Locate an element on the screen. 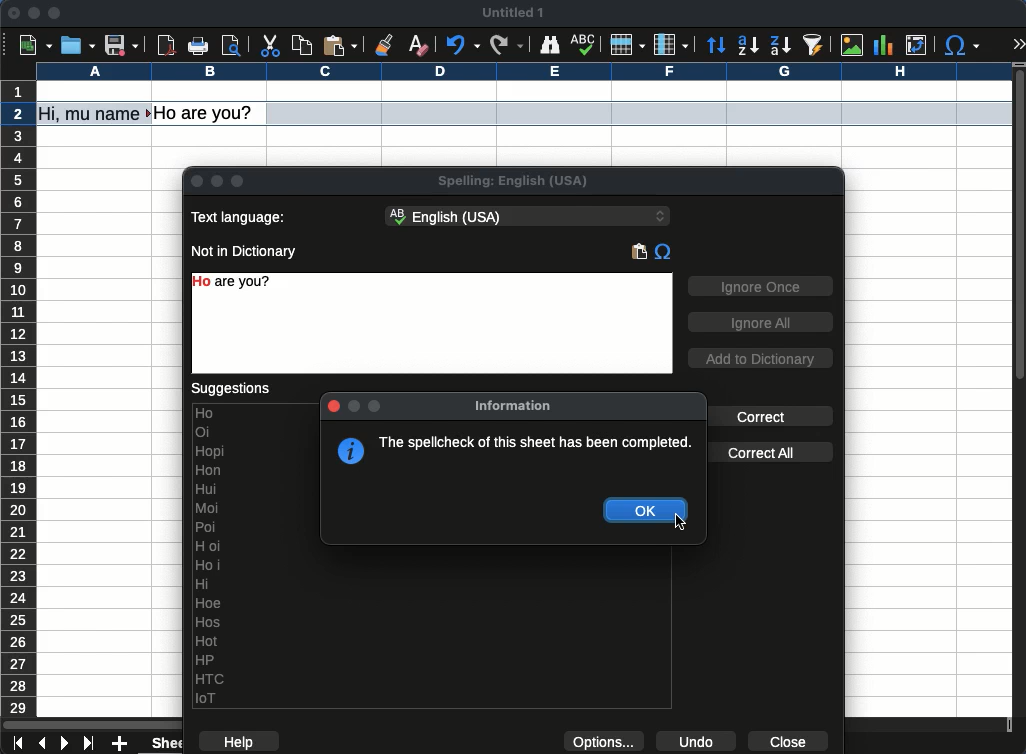  save is located at coordinates (122, 45).